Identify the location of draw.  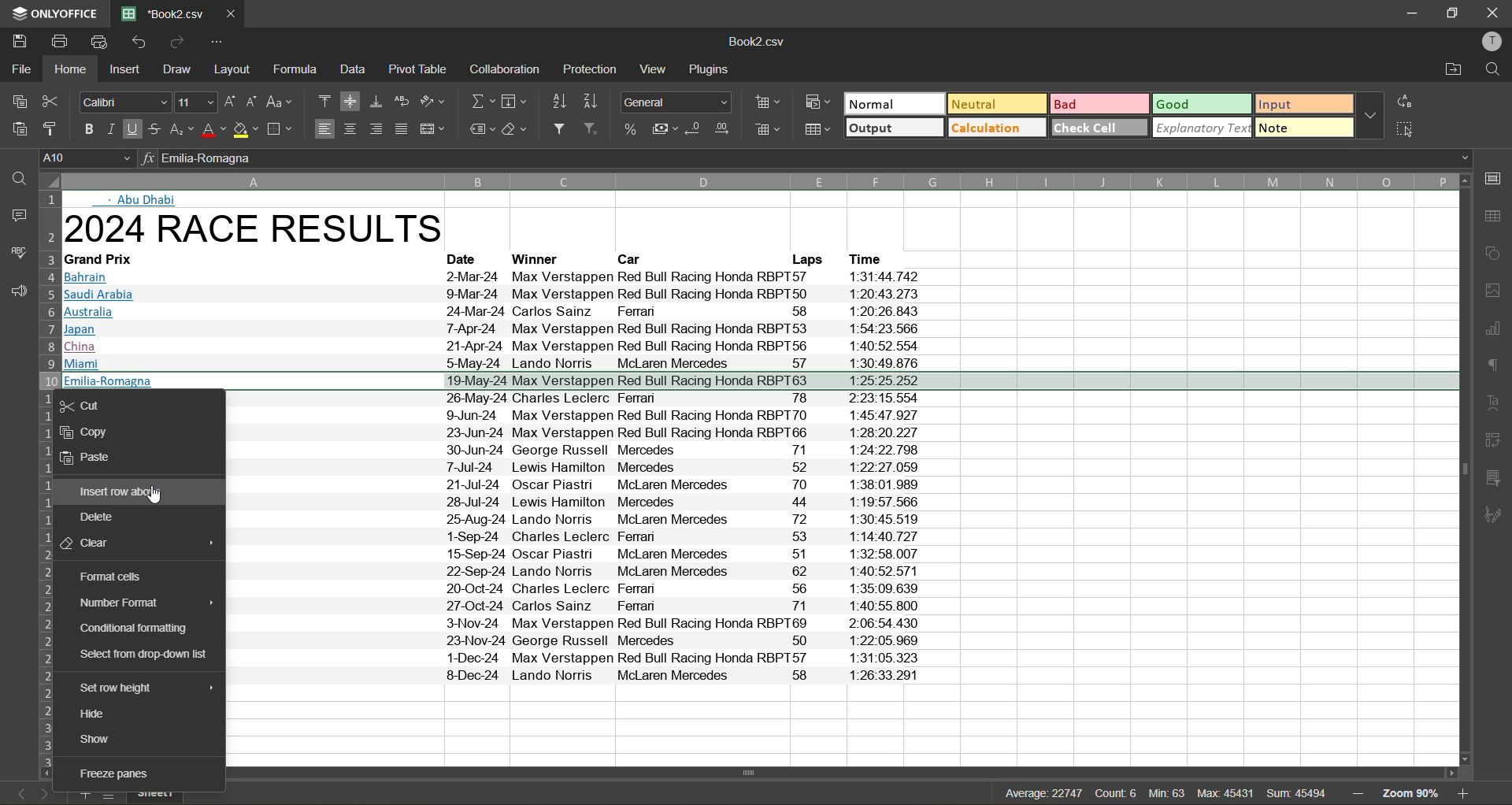
(178, 69).